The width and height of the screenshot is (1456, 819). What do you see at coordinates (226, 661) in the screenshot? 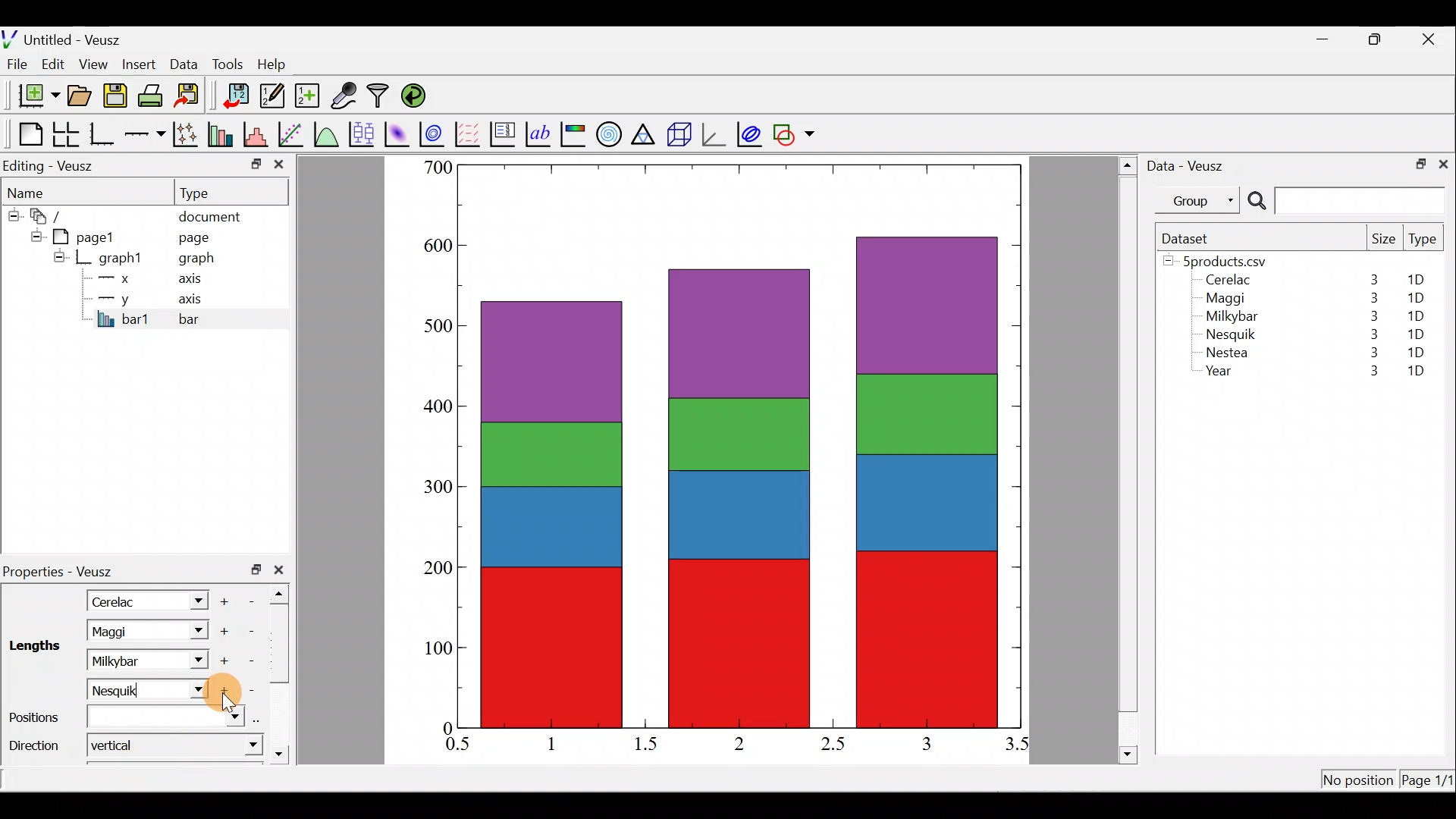
I see `Add another item` at bounding box center [226, 661].